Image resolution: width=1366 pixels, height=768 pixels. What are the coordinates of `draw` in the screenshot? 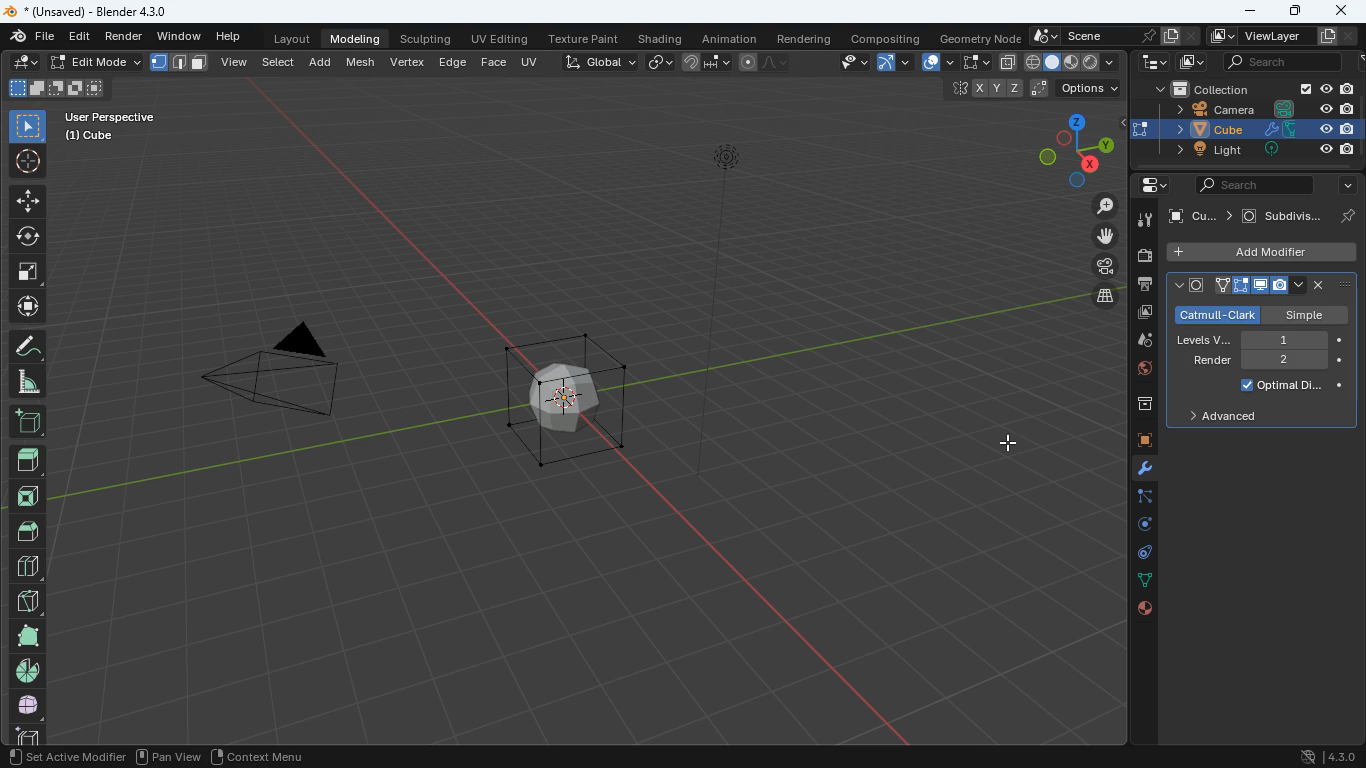 It's located at (765, 61).